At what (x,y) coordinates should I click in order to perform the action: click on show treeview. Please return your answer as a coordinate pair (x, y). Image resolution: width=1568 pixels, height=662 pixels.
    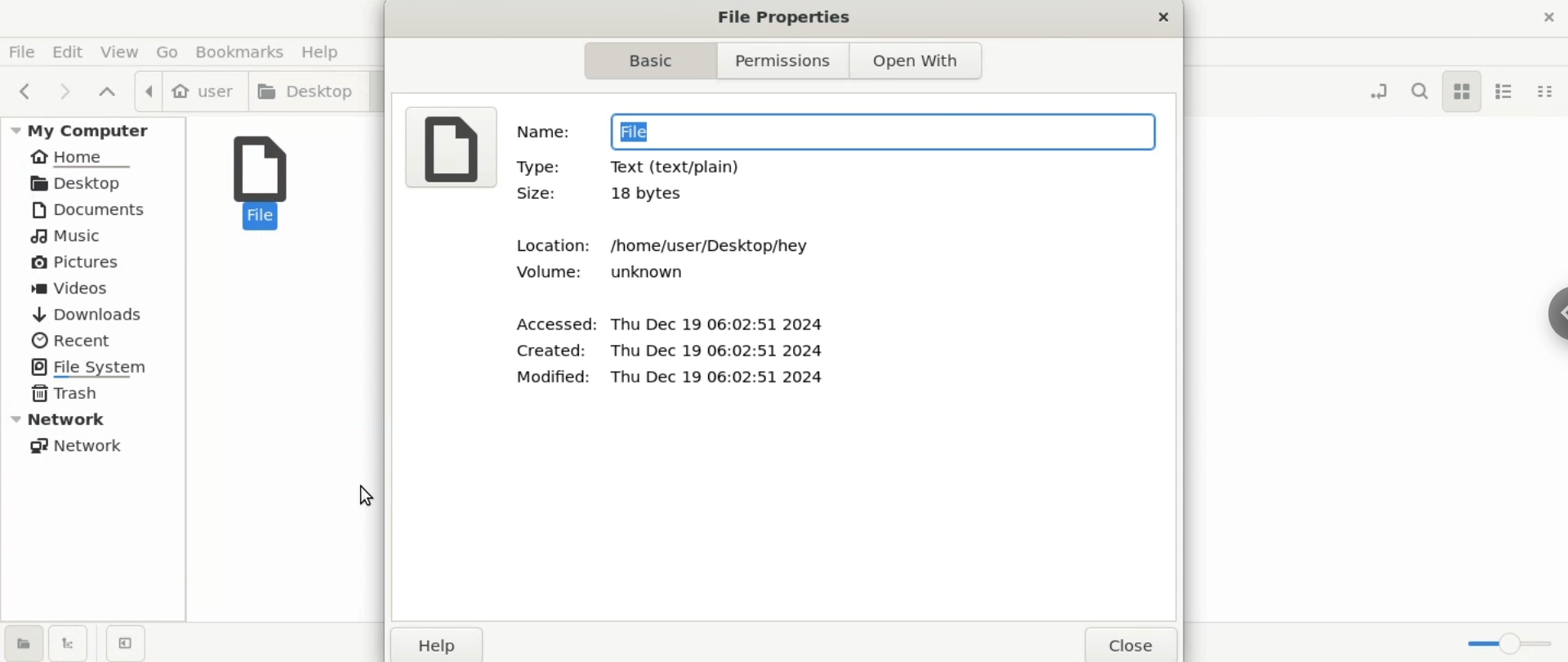
    Looking at the image, I should click on (69, 642).